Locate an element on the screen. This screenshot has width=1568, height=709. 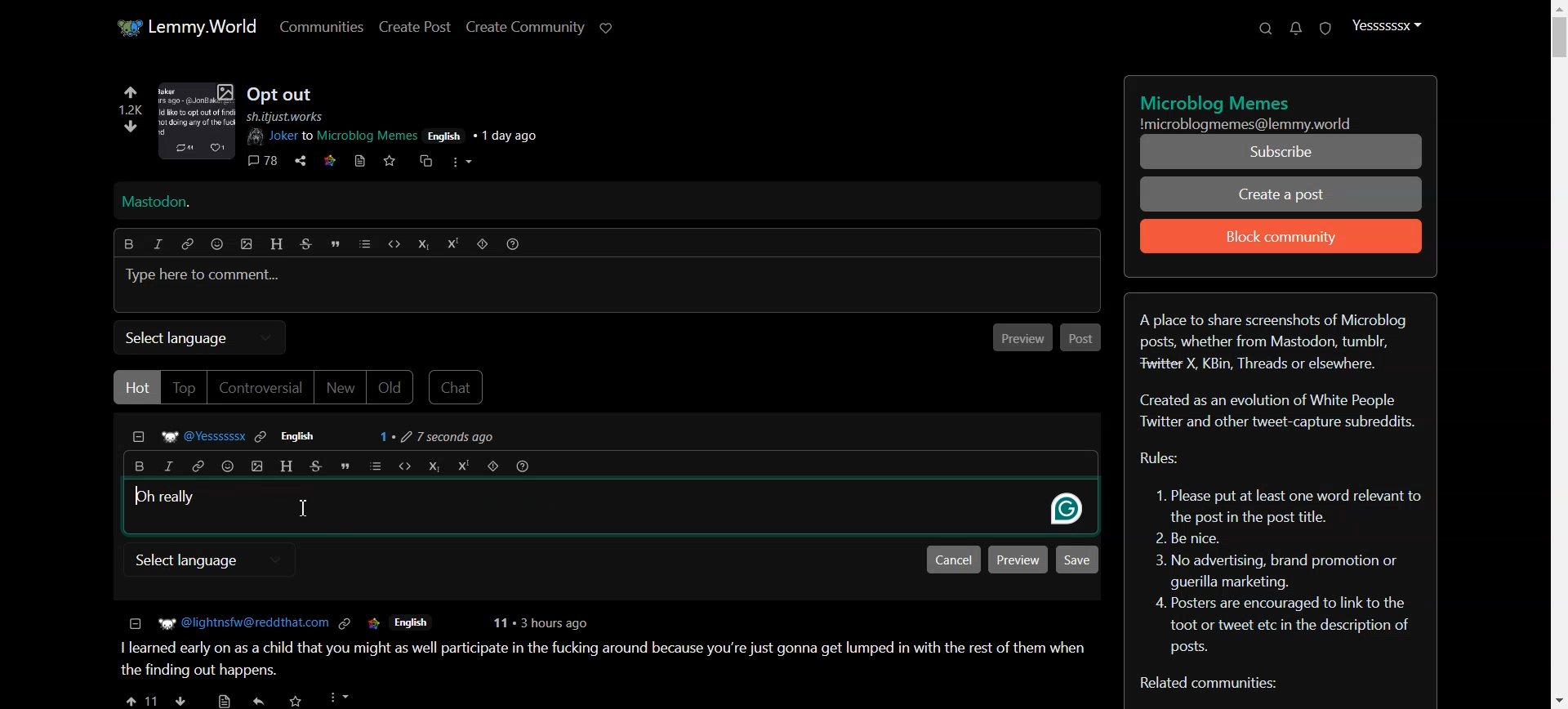
Save is located at coordinates (1078, 559).